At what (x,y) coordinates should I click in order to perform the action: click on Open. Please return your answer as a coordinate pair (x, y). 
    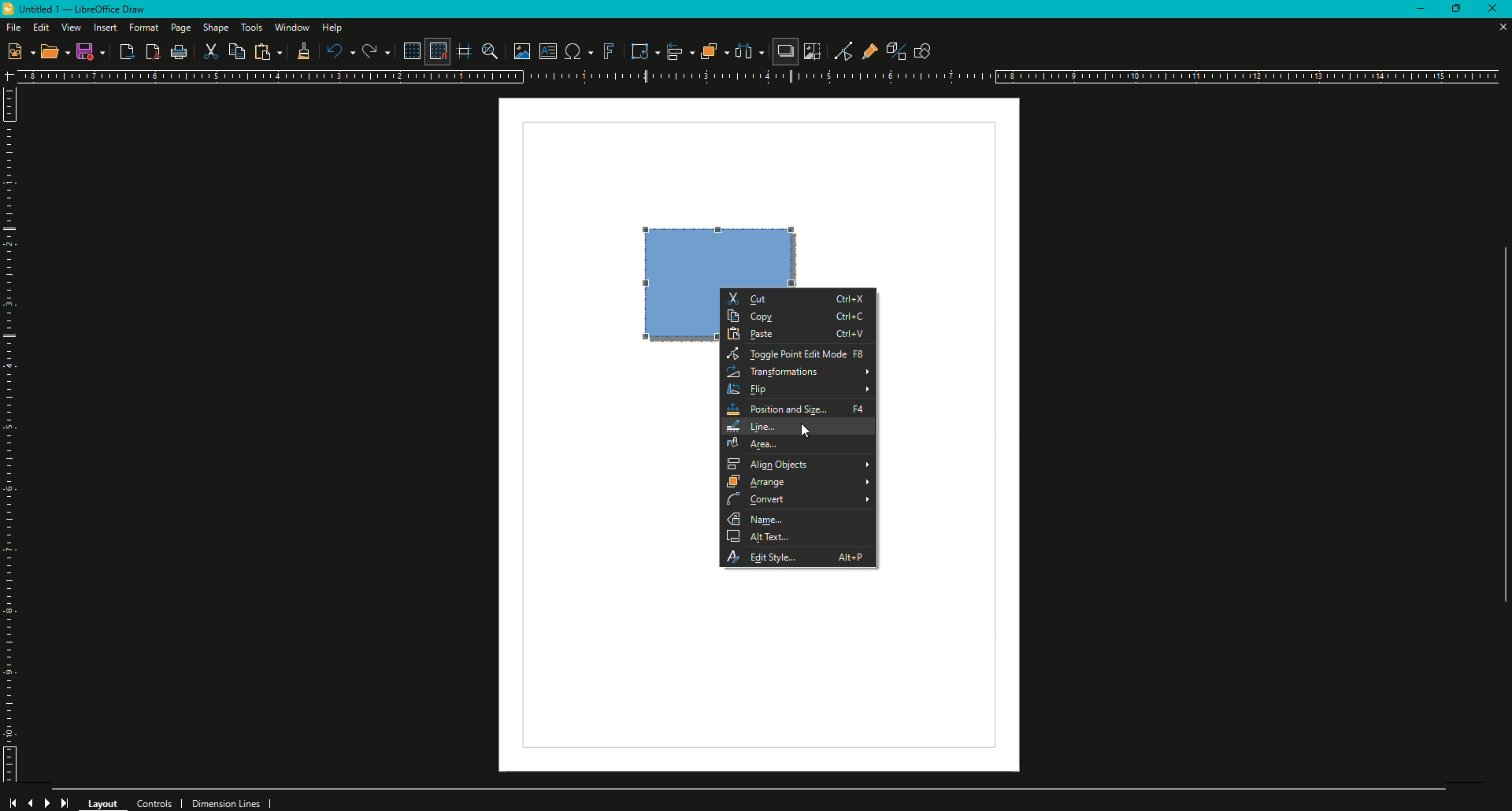
    Looking at the image, I should click on (55, 54).